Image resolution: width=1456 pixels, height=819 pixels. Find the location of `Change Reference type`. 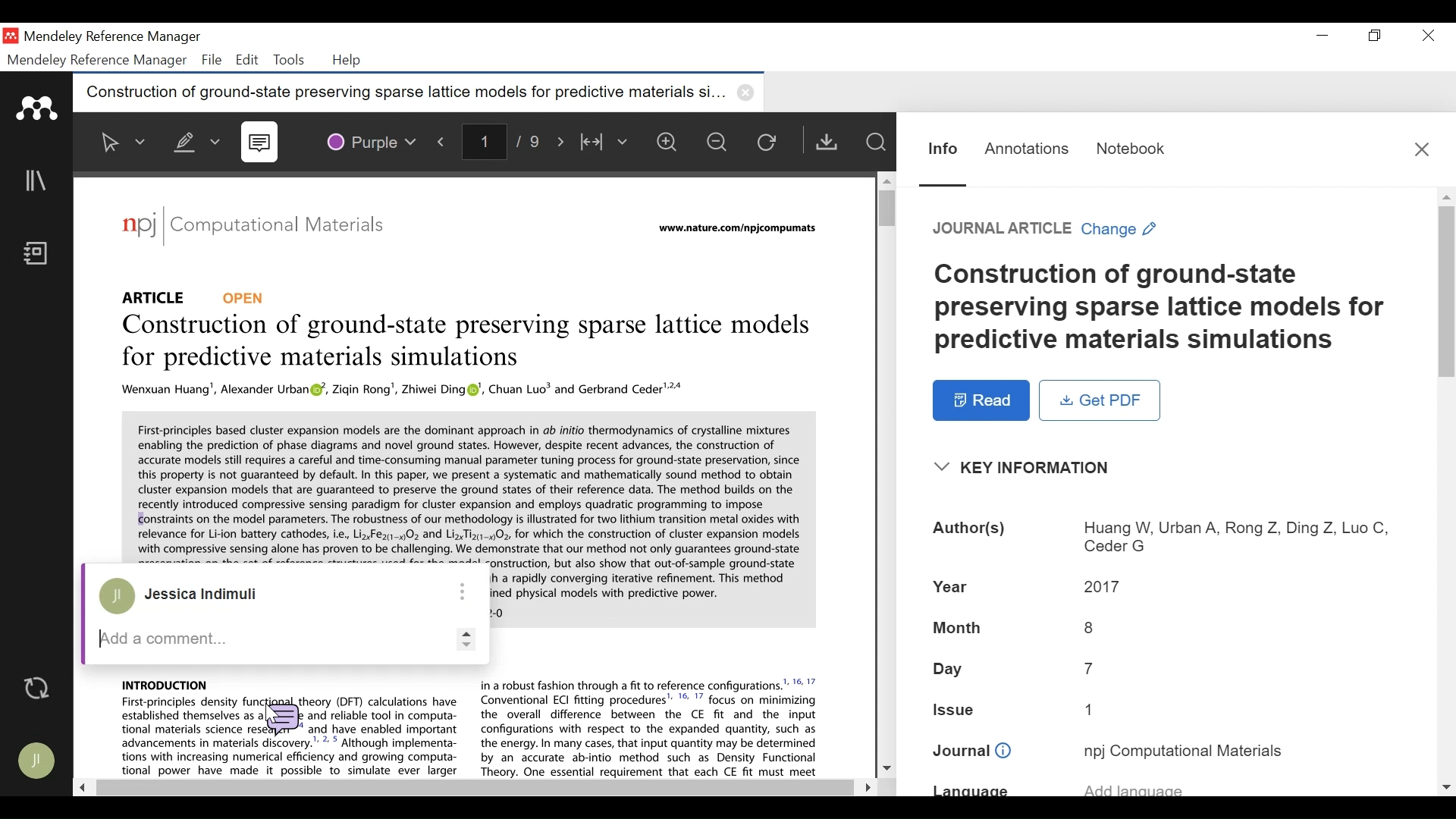

Change Reference type is located at coordinates (1047, 230).